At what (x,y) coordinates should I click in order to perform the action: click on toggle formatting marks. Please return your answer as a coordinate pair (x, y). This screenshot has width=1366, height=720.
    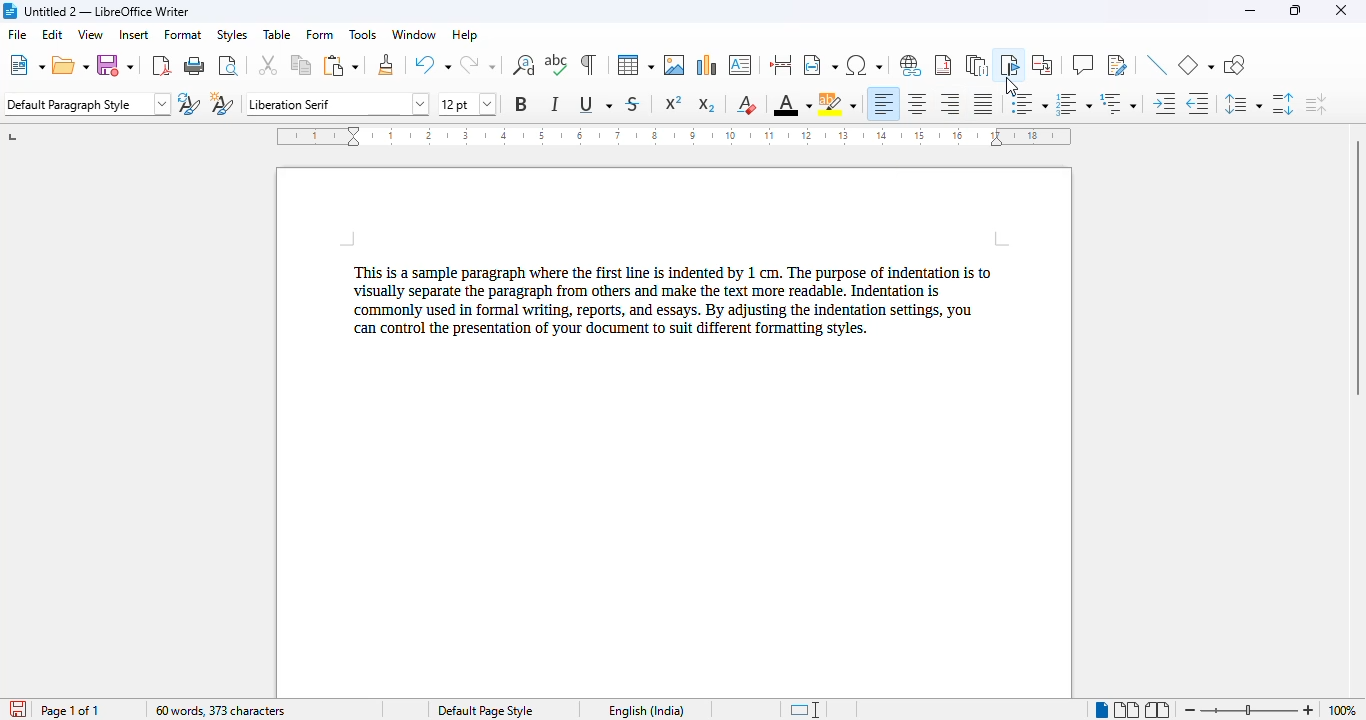
    Looking at the image, I should click on (589, 65).